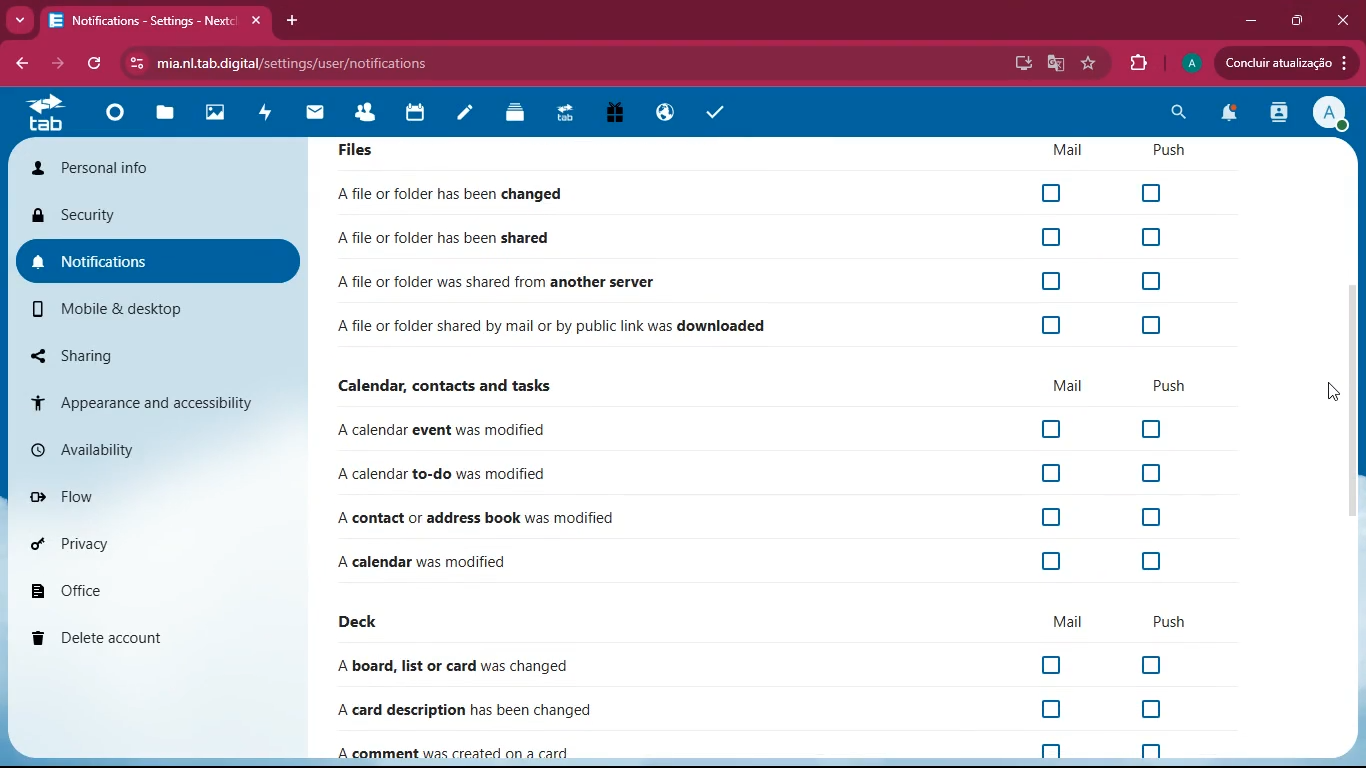 Image resolution: width=1366 pixels, height=768 pixels. What do you see at coordinates (1092, 65) in the screenshot?
I see `favourite` at bounding box center [1092, 65].